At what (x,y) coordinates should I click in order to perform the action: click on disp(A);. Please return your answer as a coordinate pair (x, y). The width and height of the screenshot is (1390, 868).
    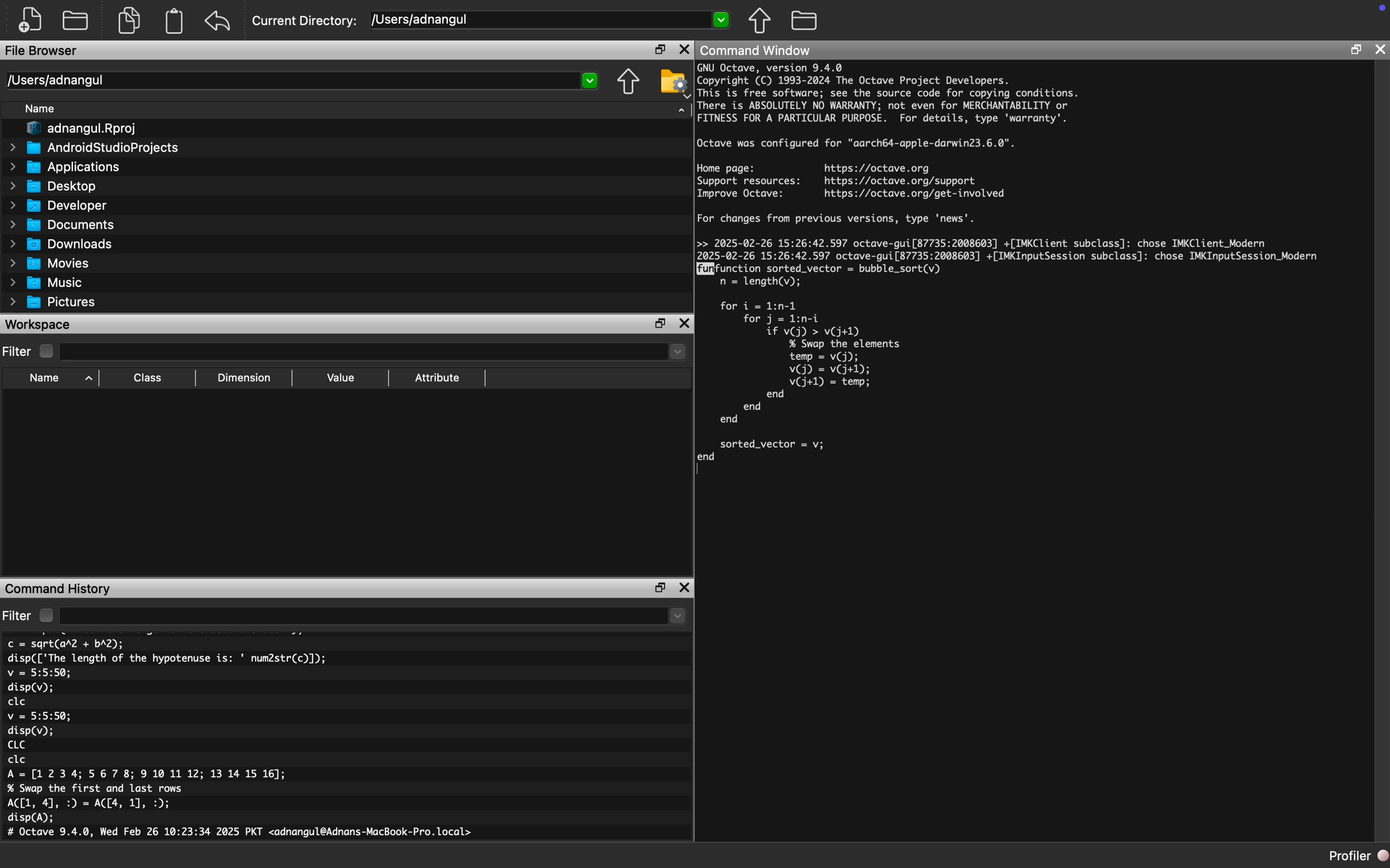
    Looking at the image, I should click on (32, 818).